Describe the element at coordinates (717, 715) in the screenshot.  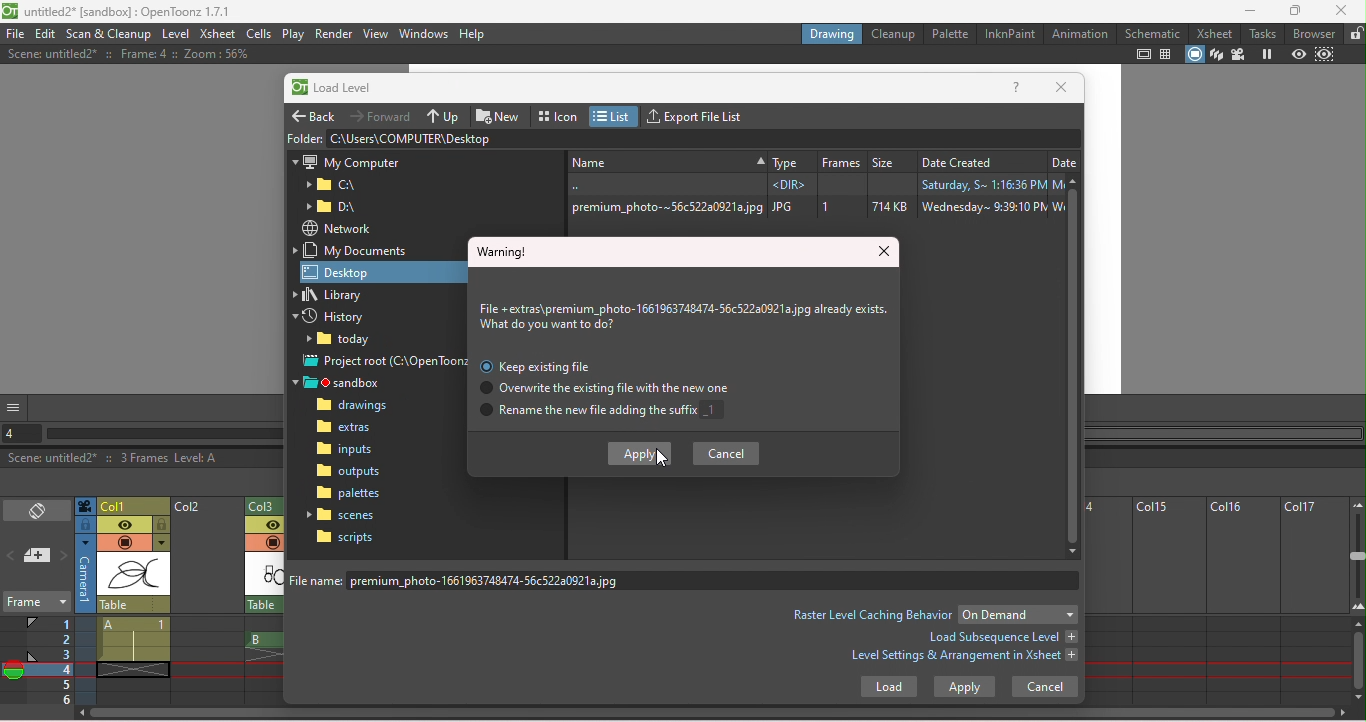
I see `Horizontal scroll bar` at that location.